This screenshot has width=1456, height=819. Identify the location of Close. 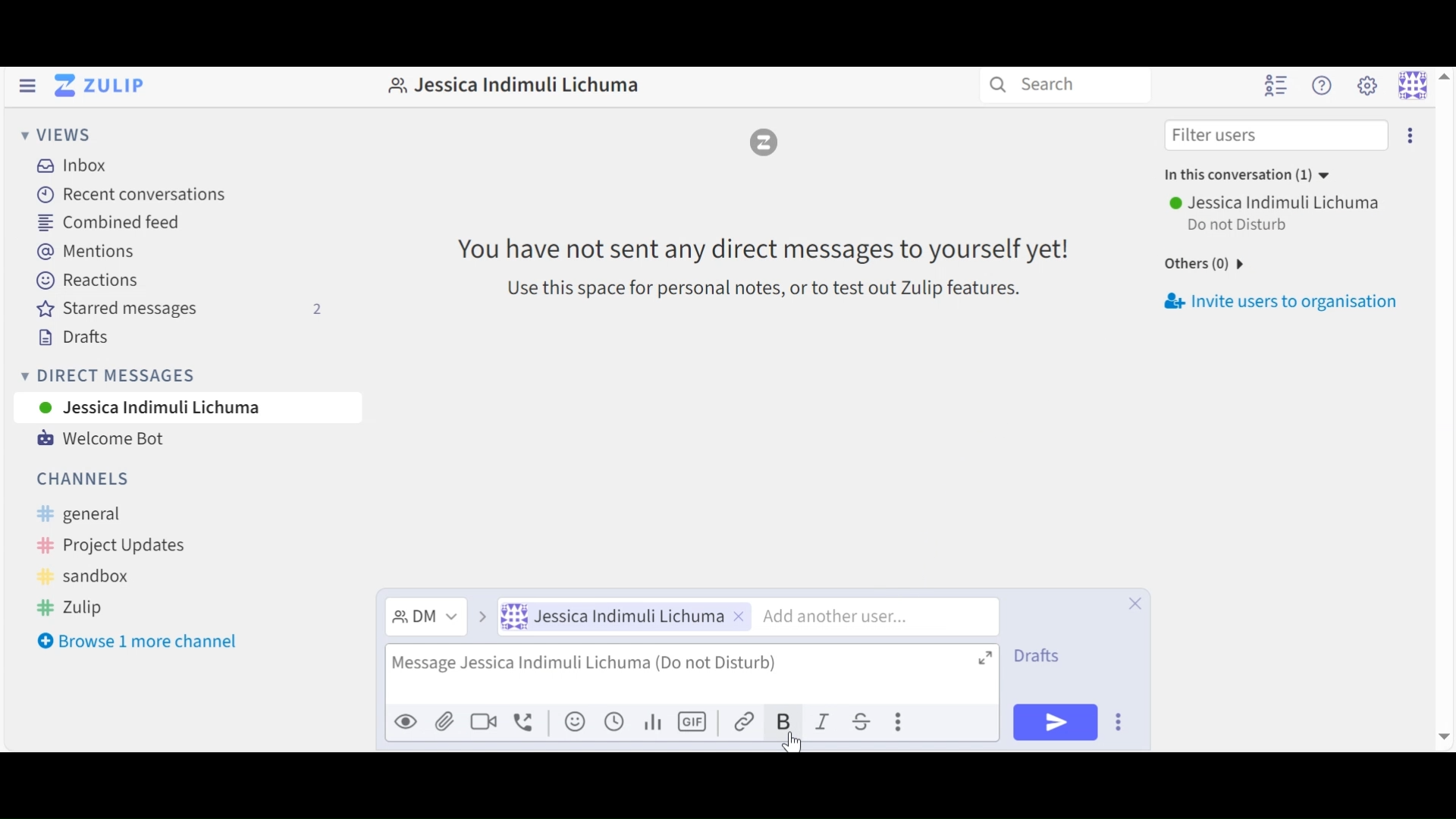
(1132, 601).